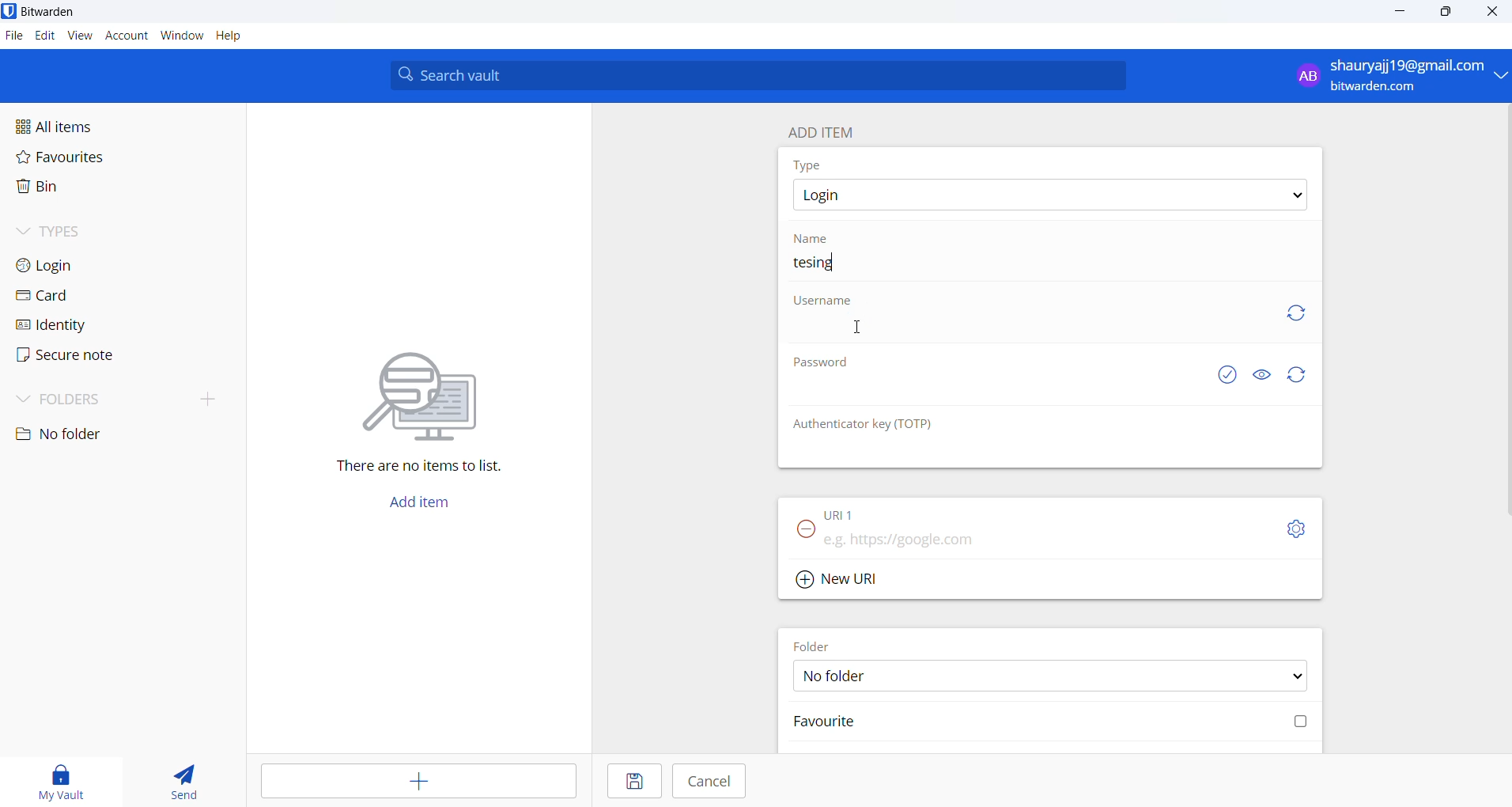  Describe the element at coordinates (633, 781) in the screenshot. I see `save` at that location.